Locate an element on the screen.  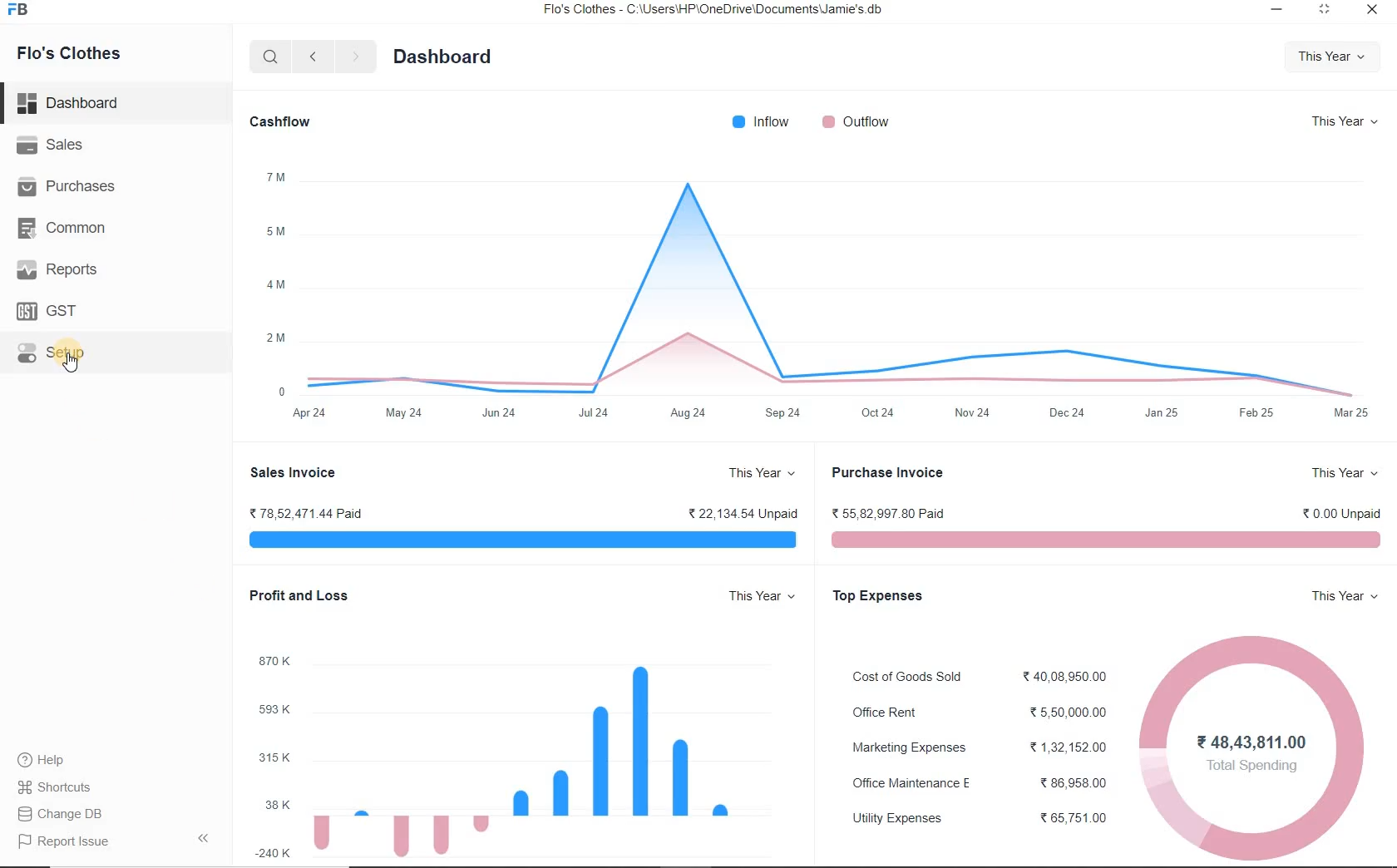
55,82,997.80 is located at coordinates (886, 512).